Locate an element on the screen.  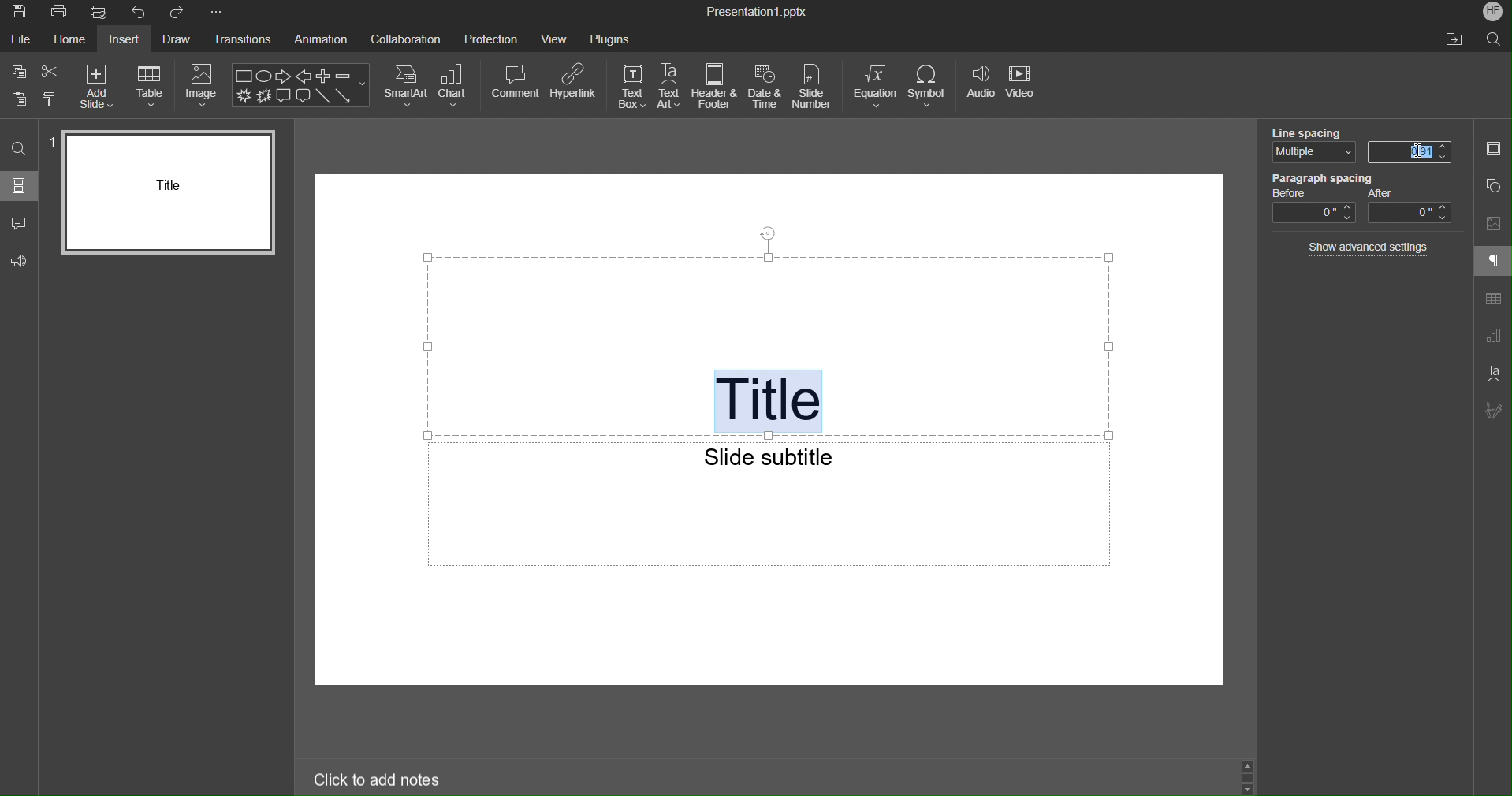
Show advanced settings is located at coordinates (1371, 247).